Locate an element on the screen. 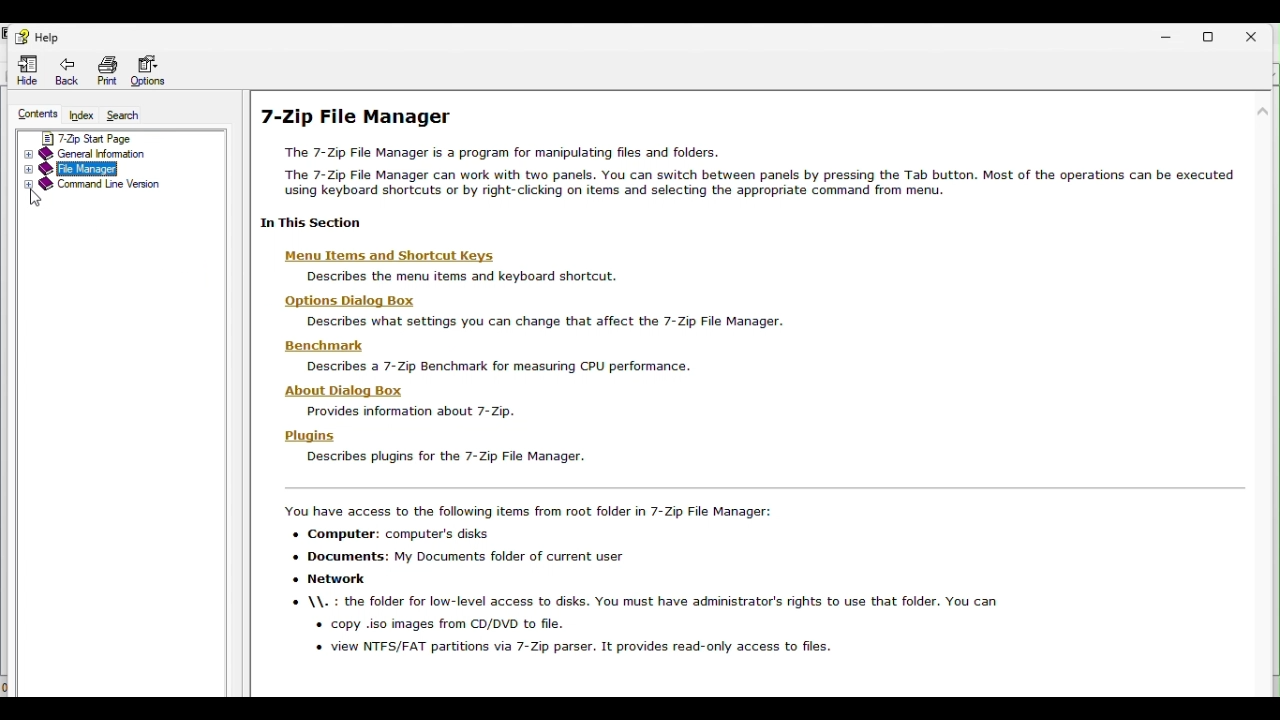 Image resolution: width=1280 pixels, height=720 pixels. Describes a 7-Zip Benchmark for measuring CPU performance. is located at coordinates (507, 368).